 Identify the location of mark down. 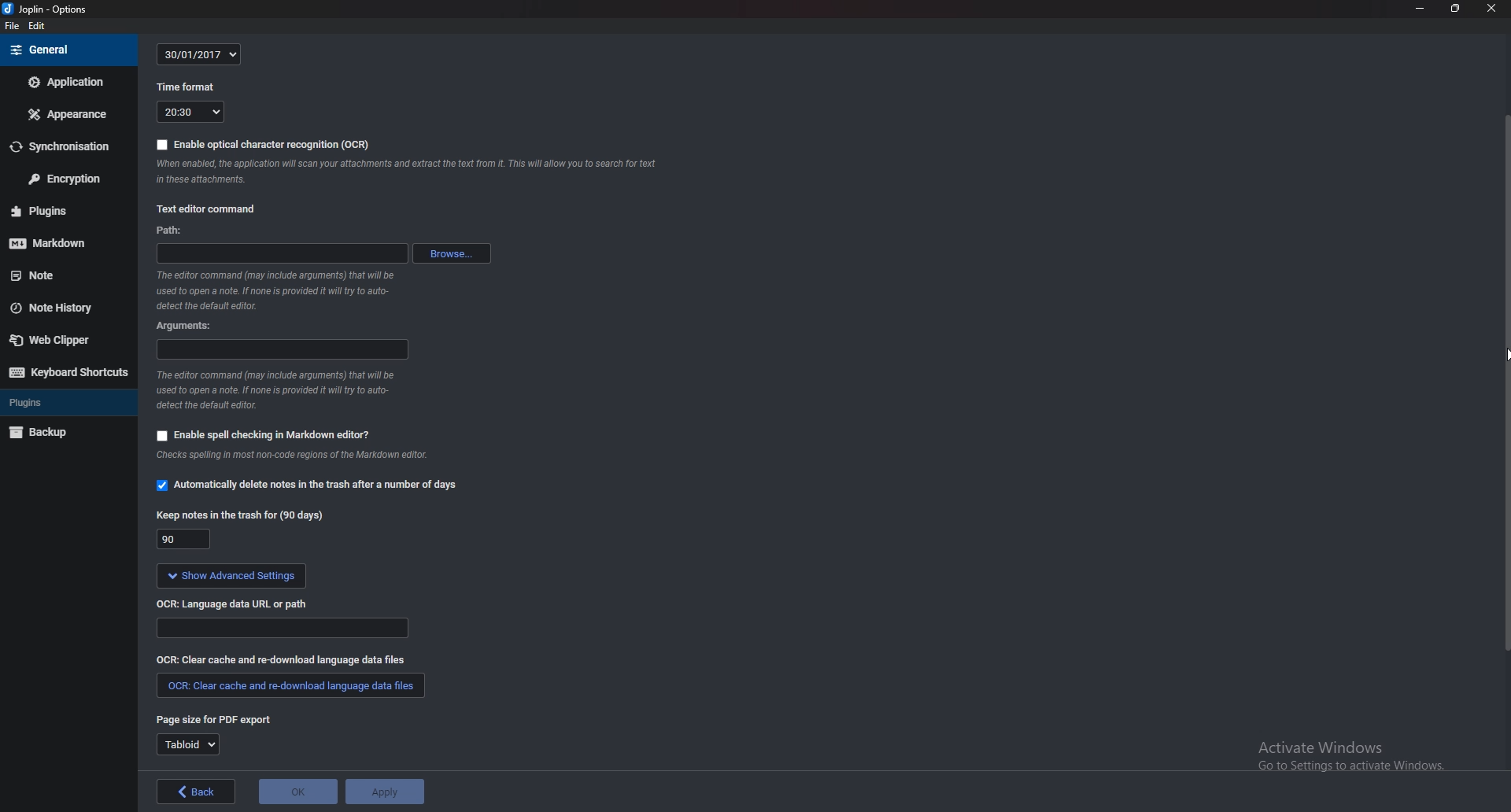
(53, 244).